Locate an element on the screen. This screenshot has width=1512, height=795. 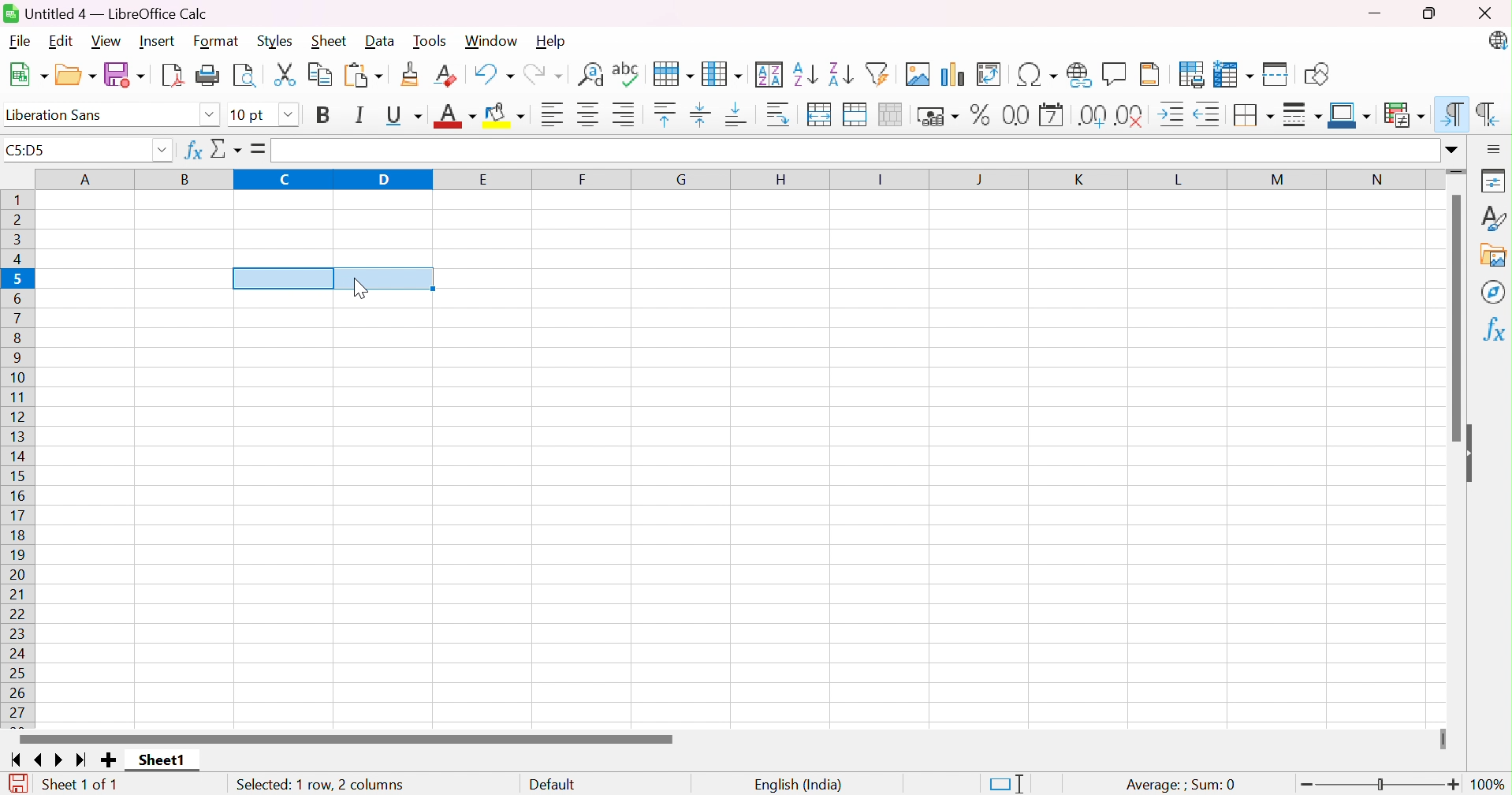
AutoFilter is located at coordinates (879, 73).